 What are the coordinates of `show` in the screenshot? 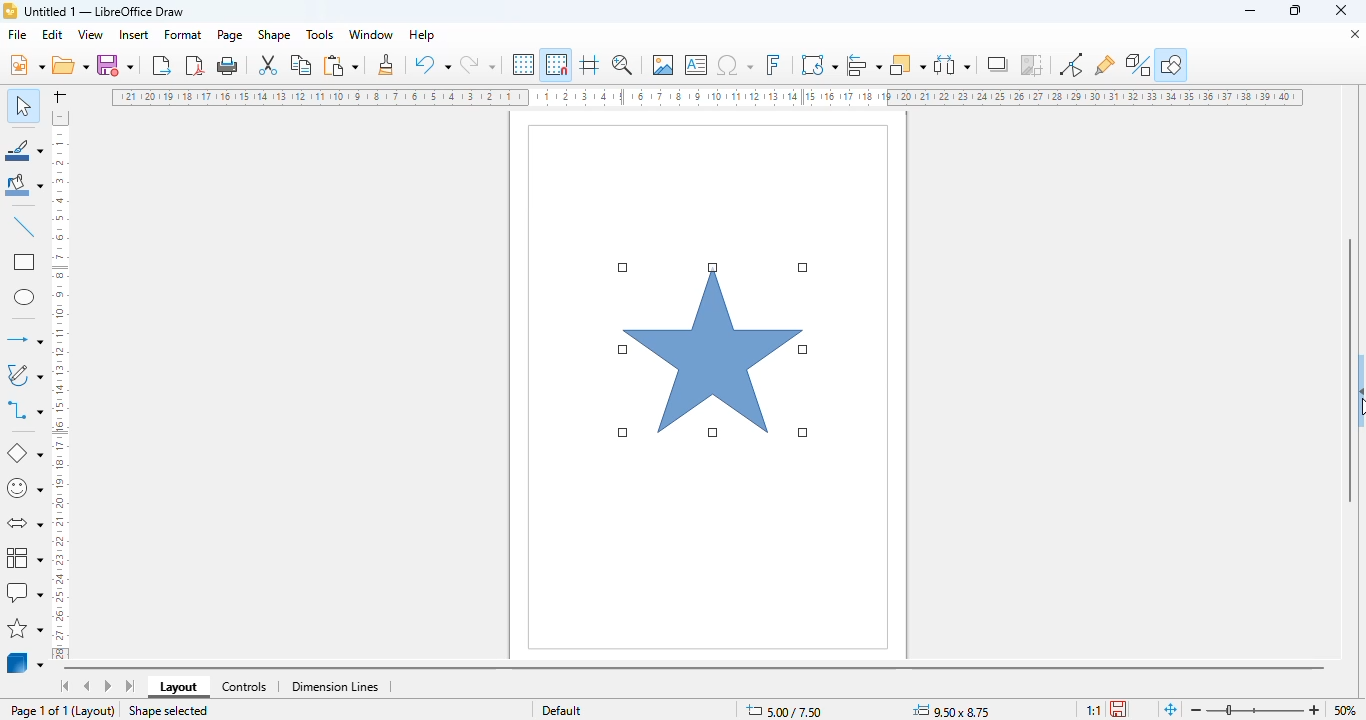 It's located at (1357, 388).